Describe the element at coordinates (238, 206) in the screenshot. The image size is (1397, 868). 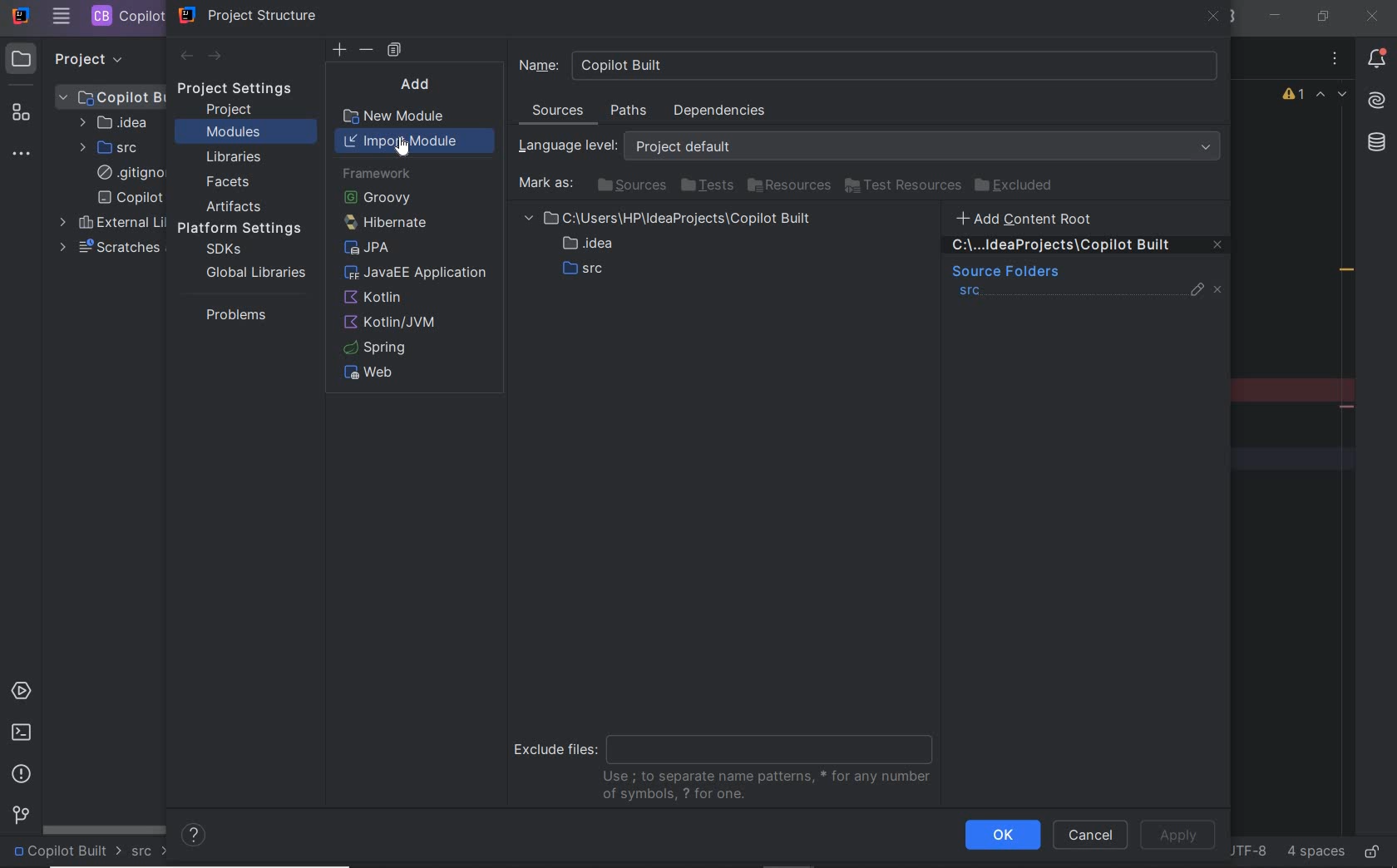
I see `artifacts` at that location.